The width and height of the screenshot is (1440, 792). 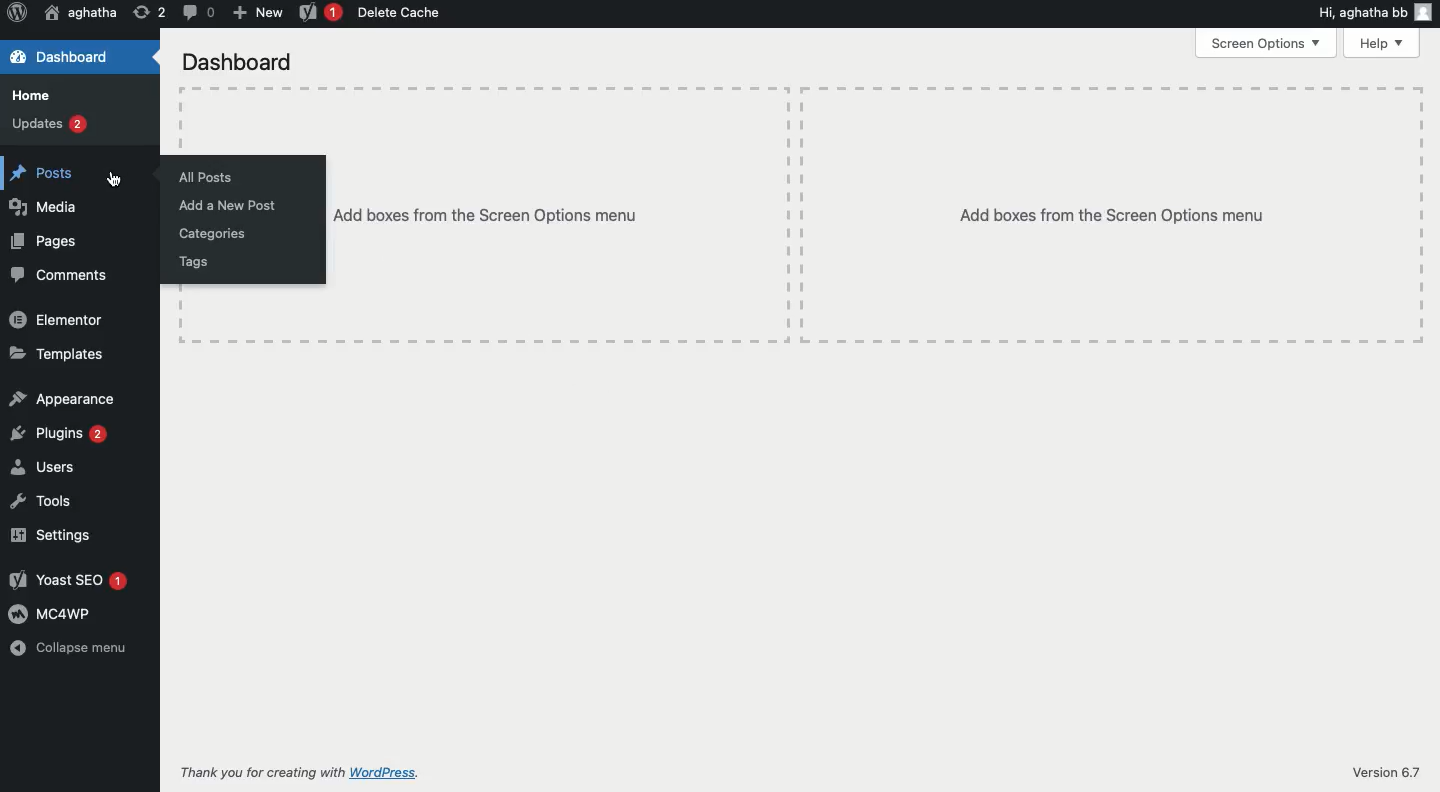 I want to click on Comments, so click(x=60, y=274).